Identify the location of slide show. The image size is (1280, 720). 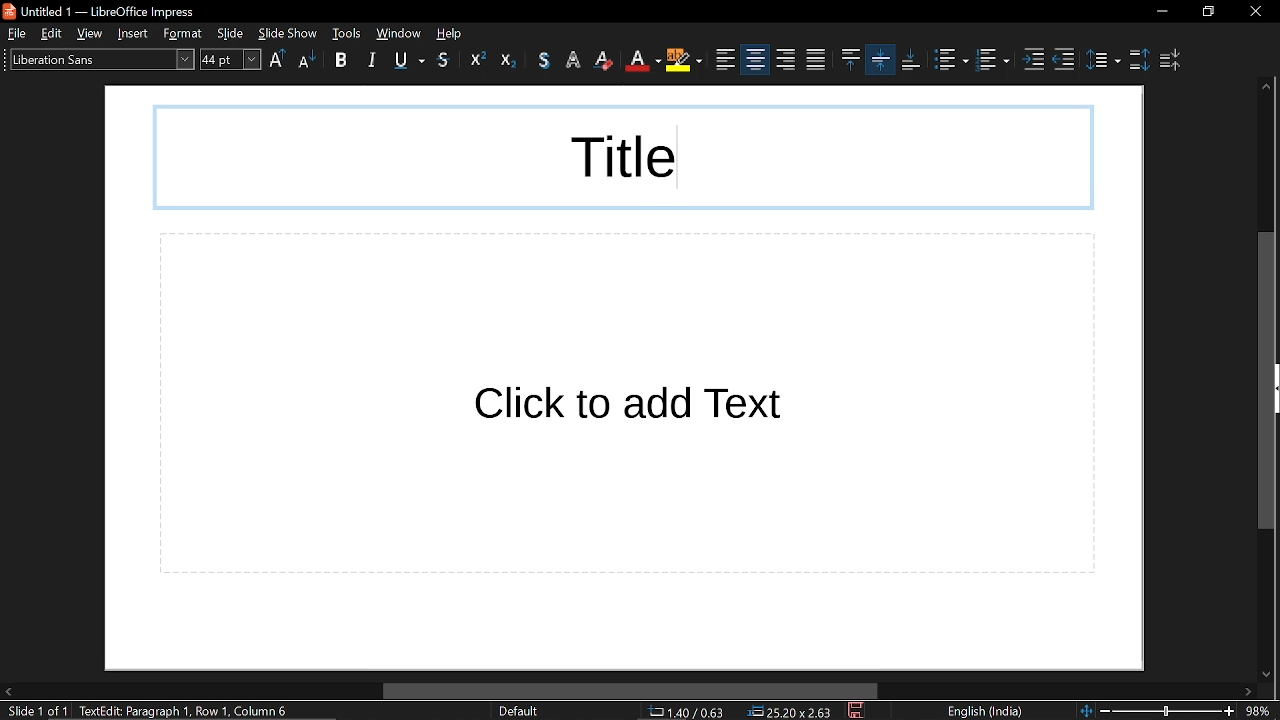
(287, 32).